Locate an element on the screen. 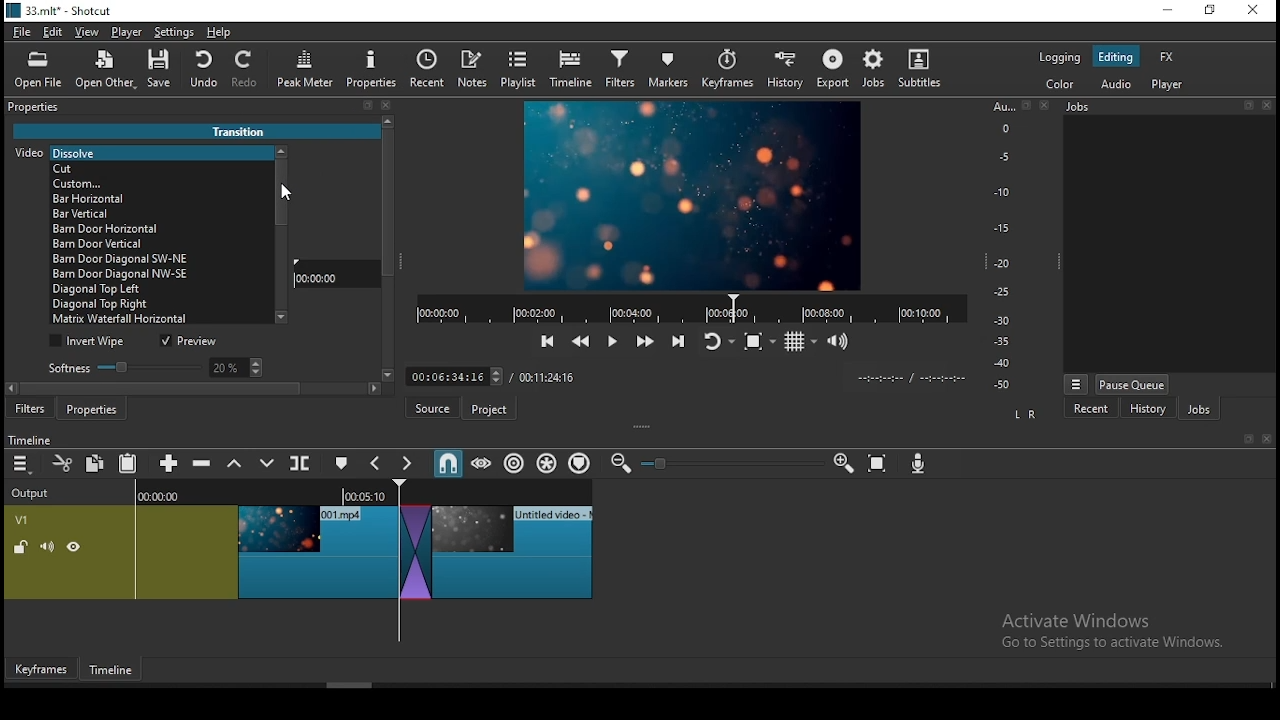  jobs is located at coordinates (1198, 411).